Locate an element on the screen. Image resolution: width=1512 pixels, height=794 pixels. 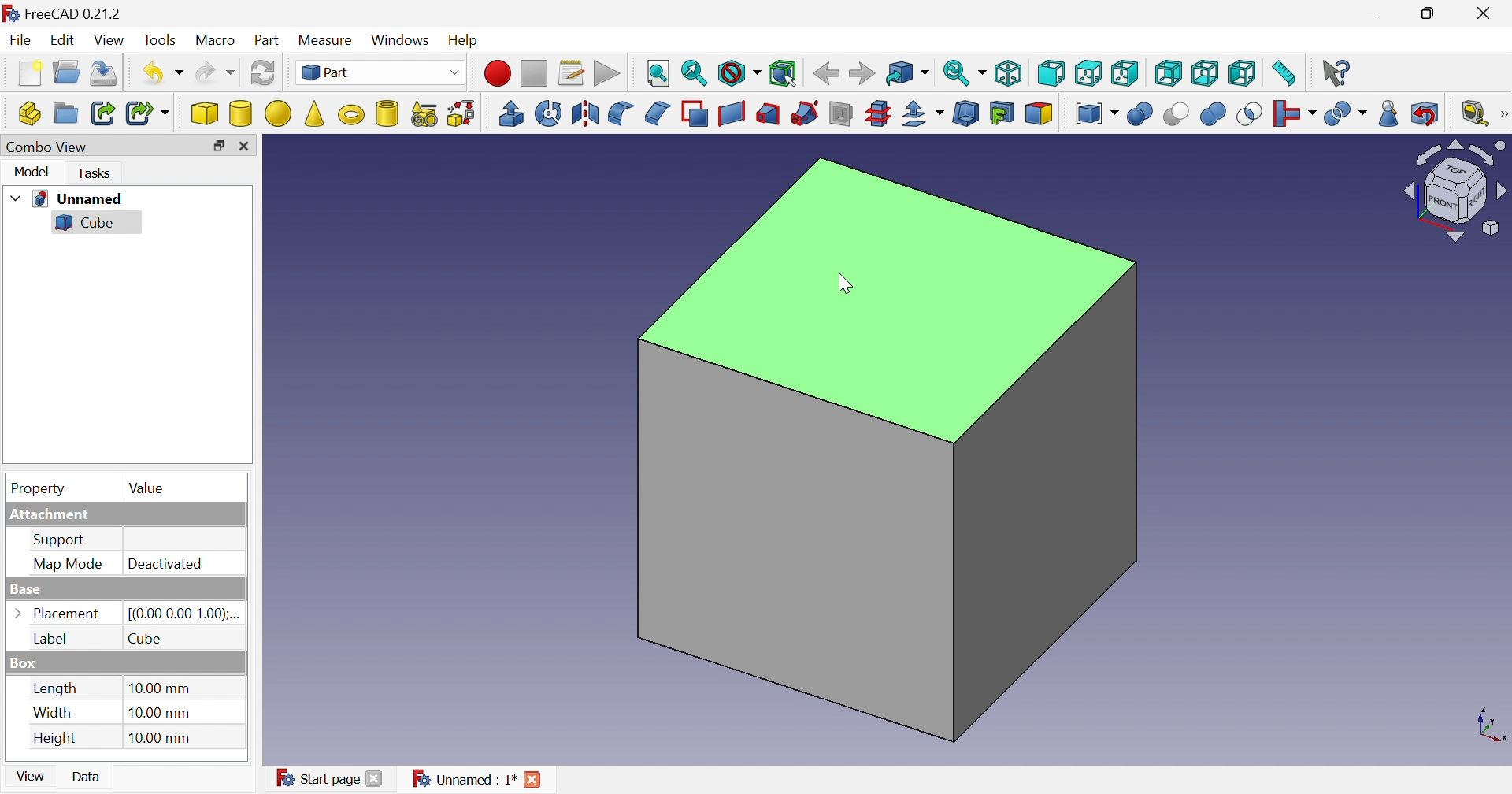
Sync view is located at coordinates (963, 72).